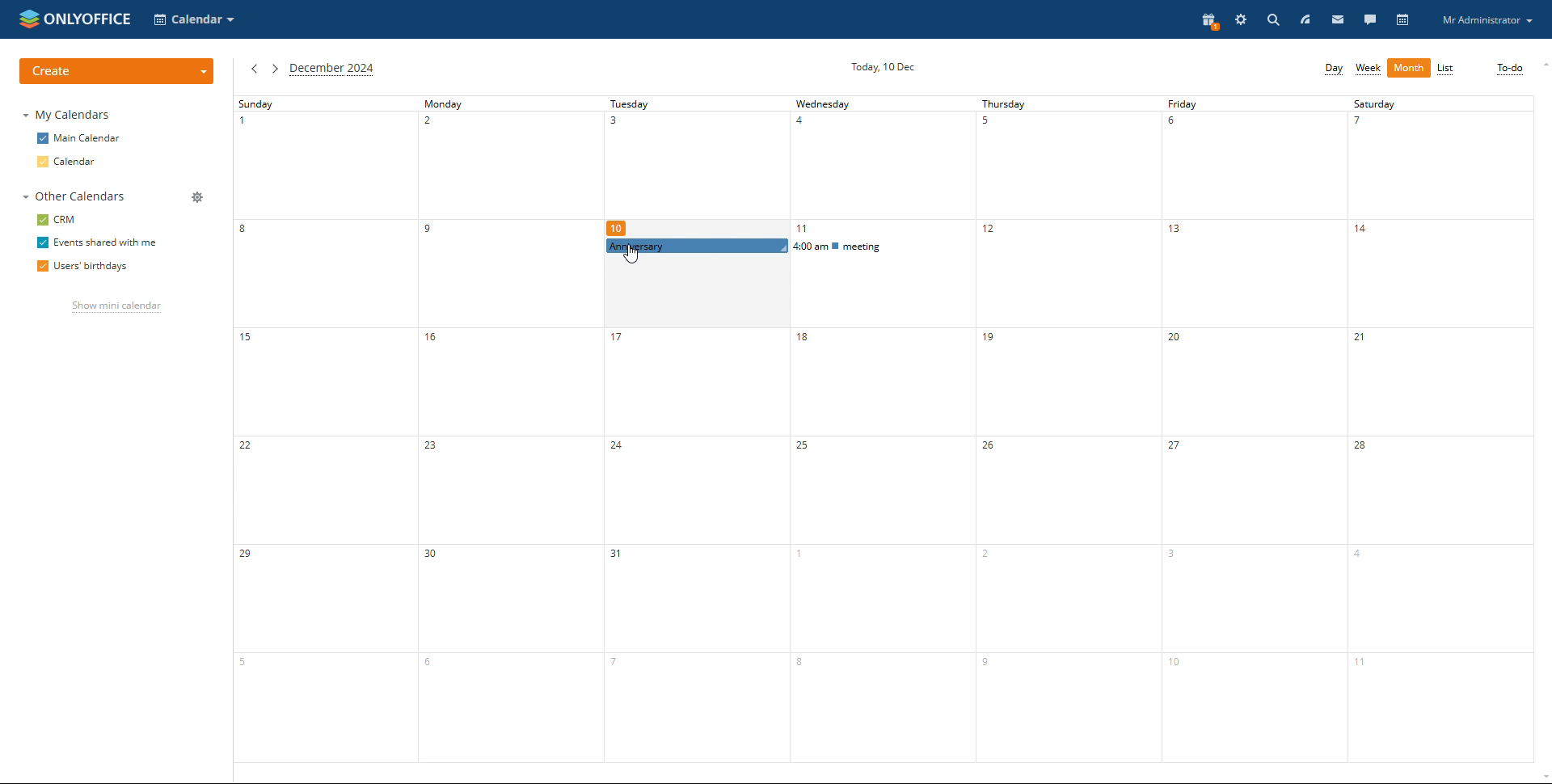 Image resolution: width=1552 pixels, height=784 pixels. I want to click on scroll down, so click(1542, 778).